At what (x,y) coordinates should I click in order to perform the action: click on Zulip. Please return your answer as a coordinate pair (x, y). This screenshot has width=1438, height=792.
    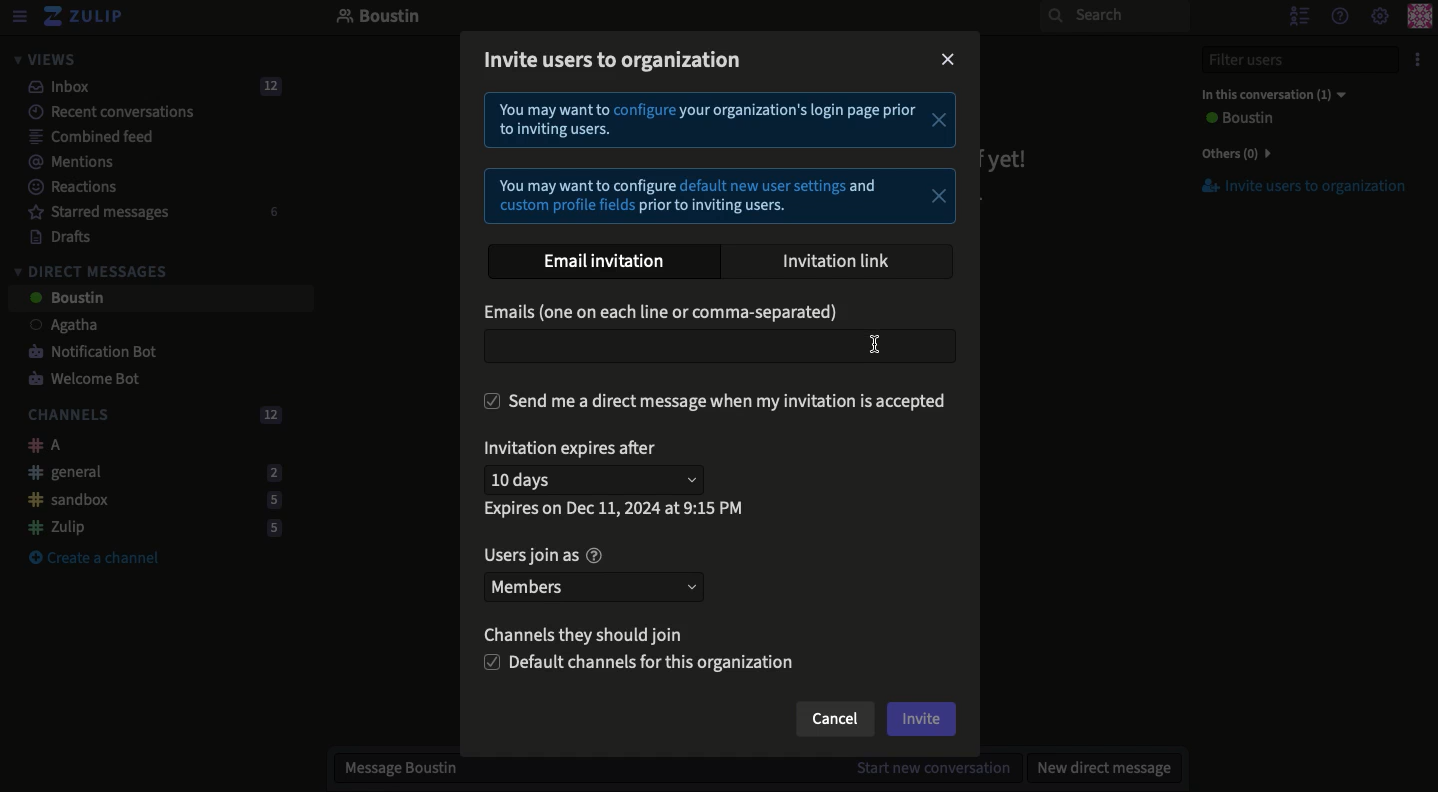
    Looking at the image, I should click on (148, 527).